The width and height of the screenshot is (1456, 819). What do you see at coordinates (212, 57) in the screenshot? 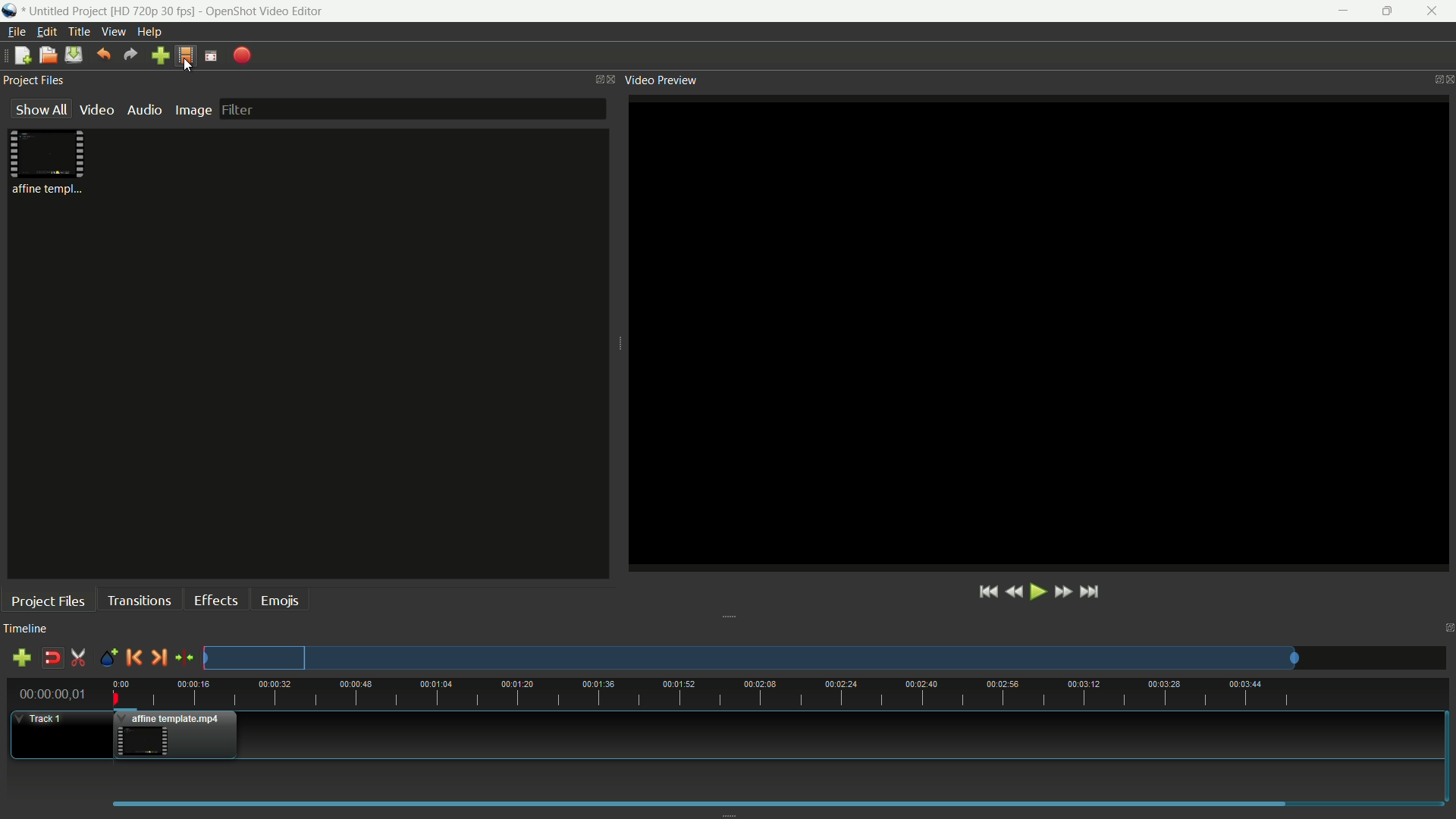
I see `full screen` at bounding box center [212, 57].